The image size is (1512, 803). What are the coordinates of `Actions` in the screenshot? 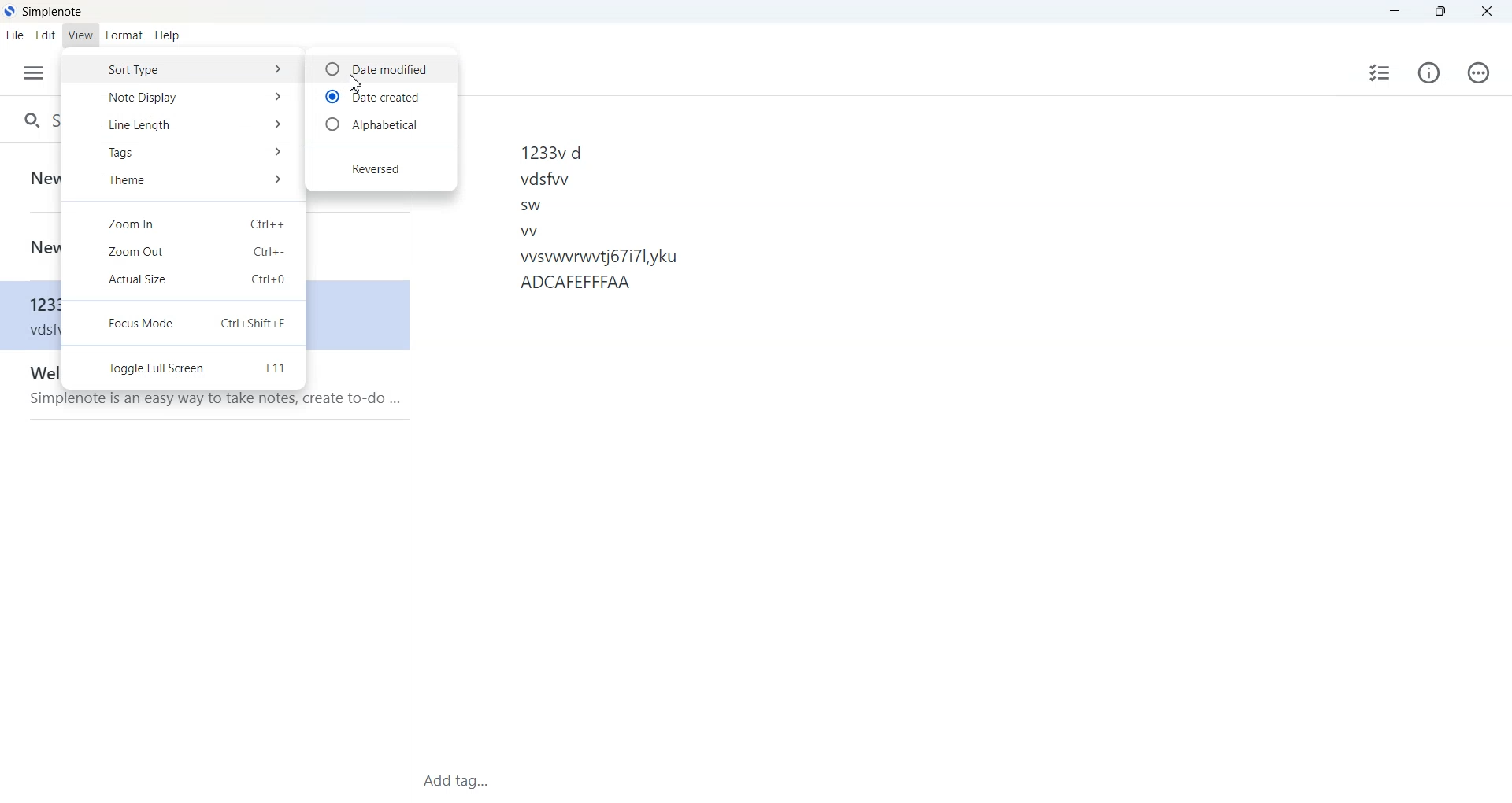 It's located at (1477, 72).